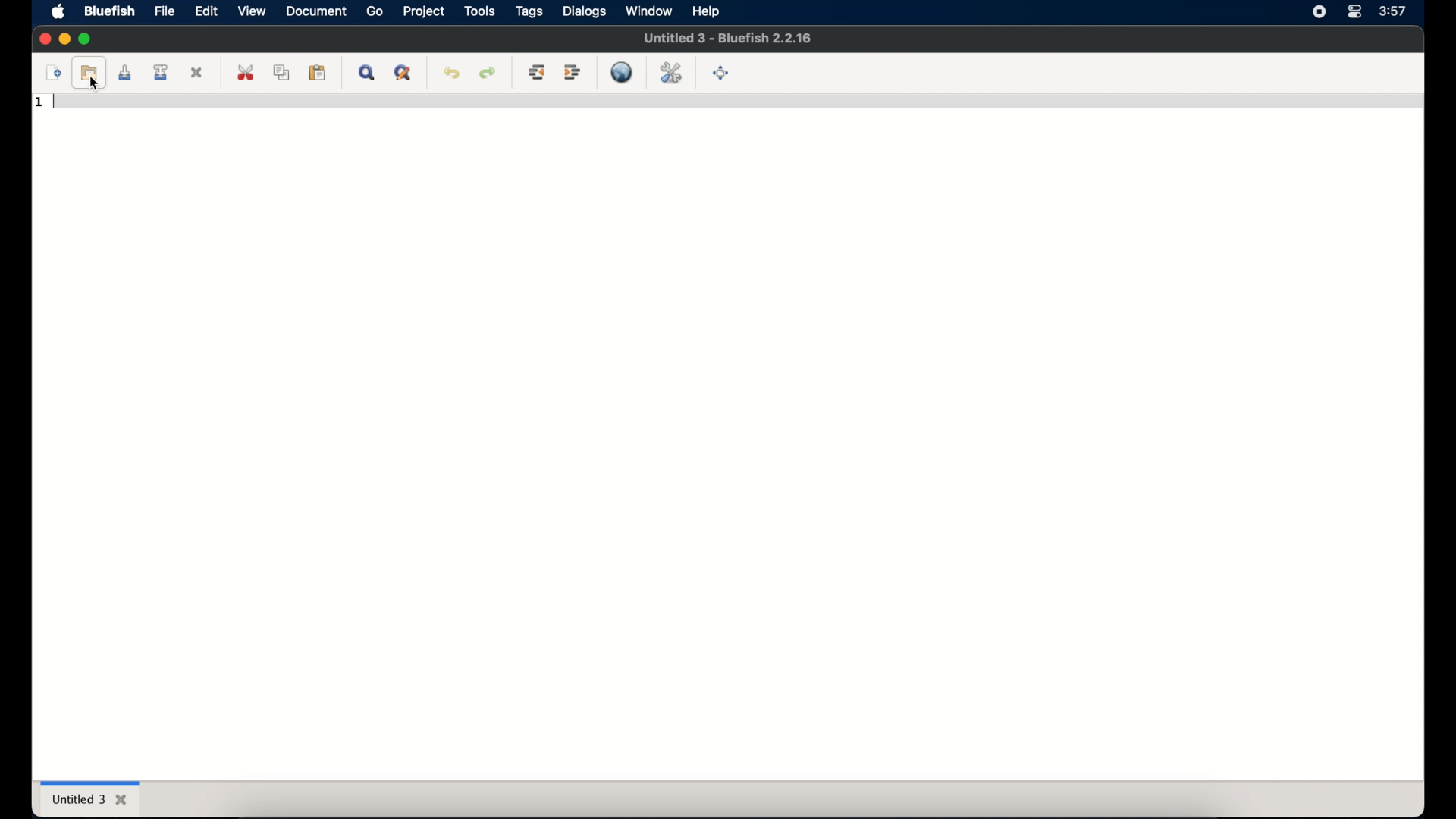 This screenshot has height=819, width=1456. Describe the element at coordinates (729, 39) in the screenshot. I see `Untitied 3 - Bluefish 2.2.16` at that location.